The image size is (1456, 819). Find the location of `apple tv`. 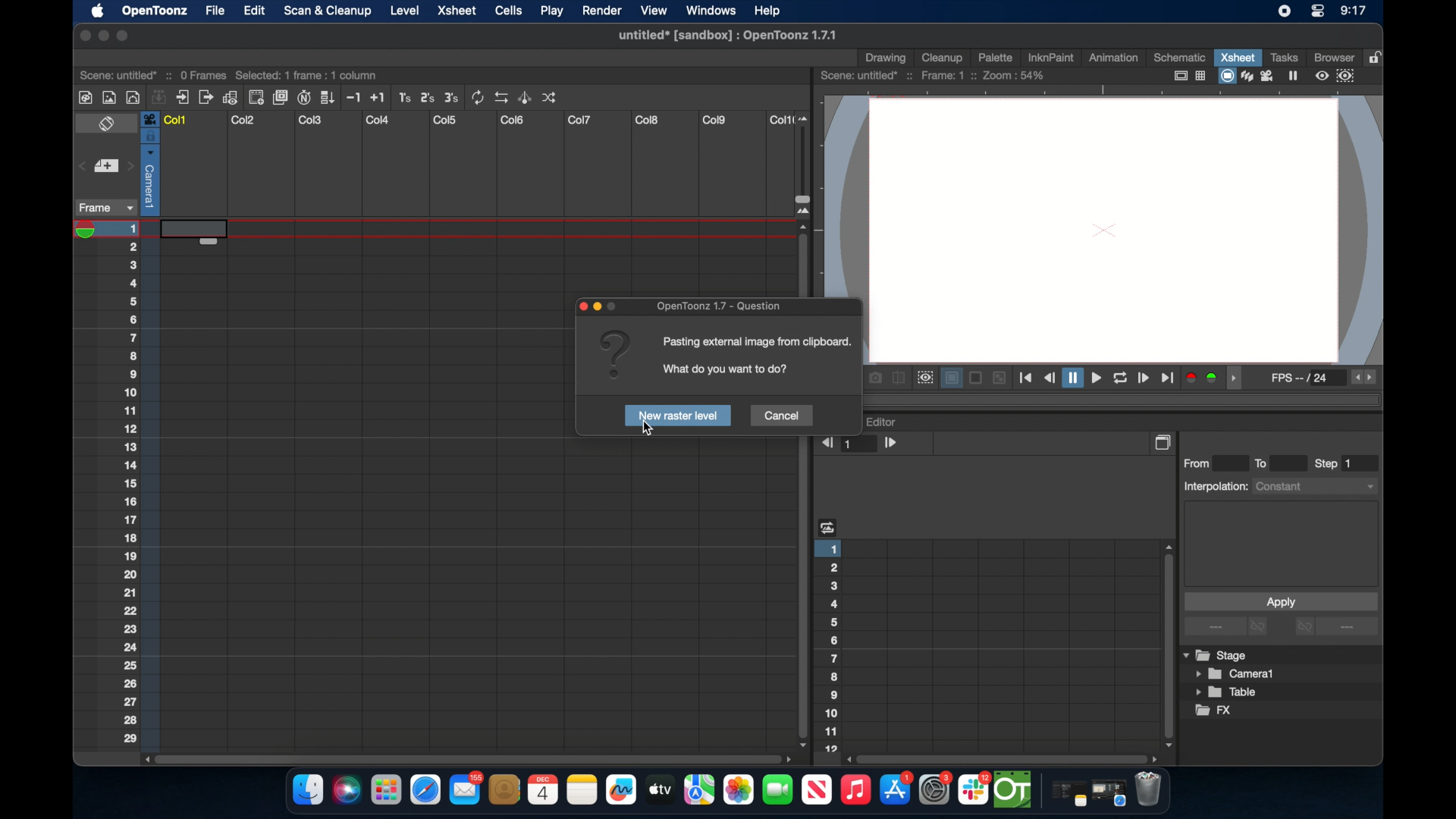

apple tv is located at coordinates (659, 789).